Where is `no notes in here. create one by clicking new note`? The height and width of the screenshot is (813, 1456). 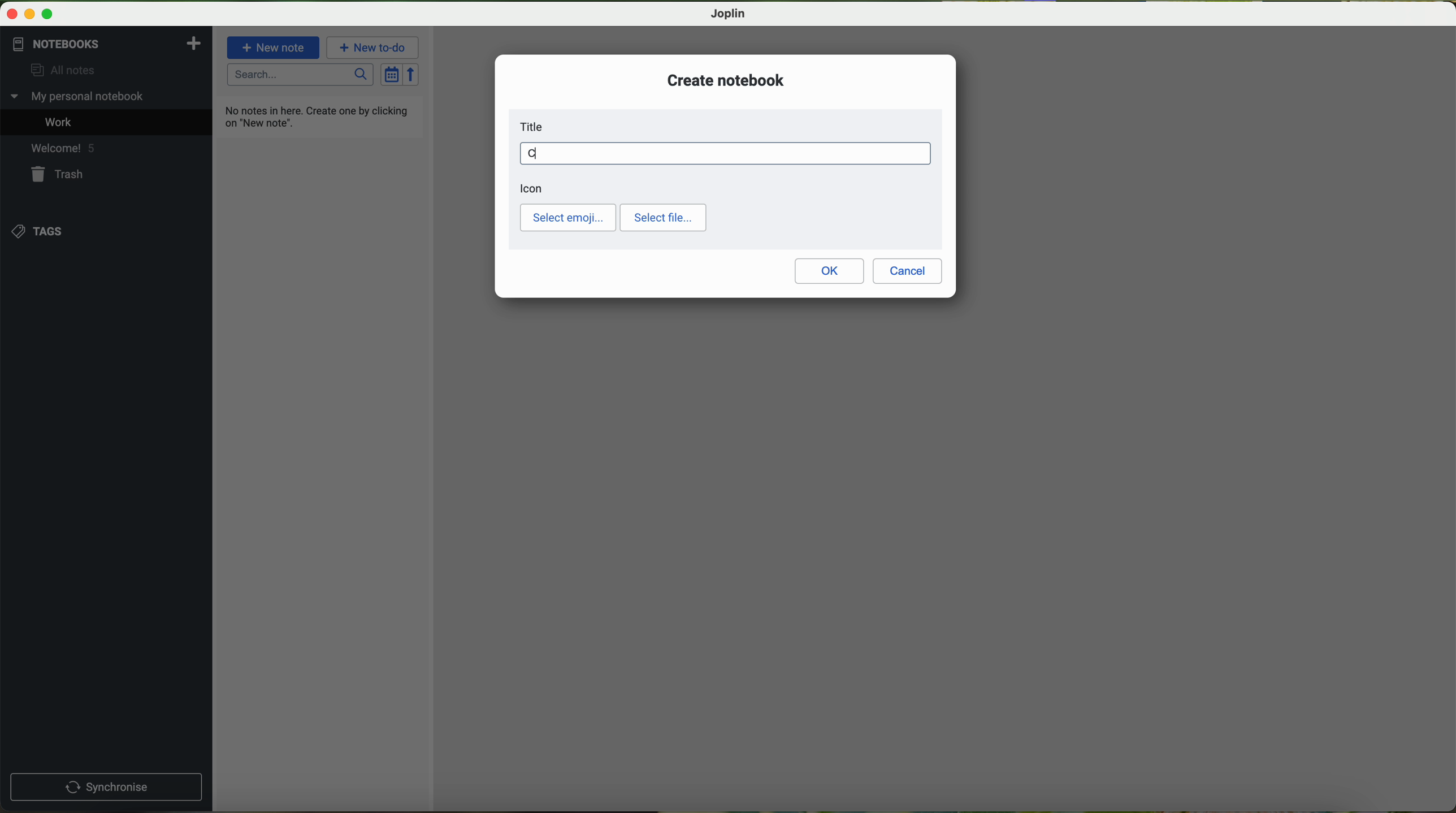 no notes in here. create one by clicking new note is located at coordinates (319, 116).